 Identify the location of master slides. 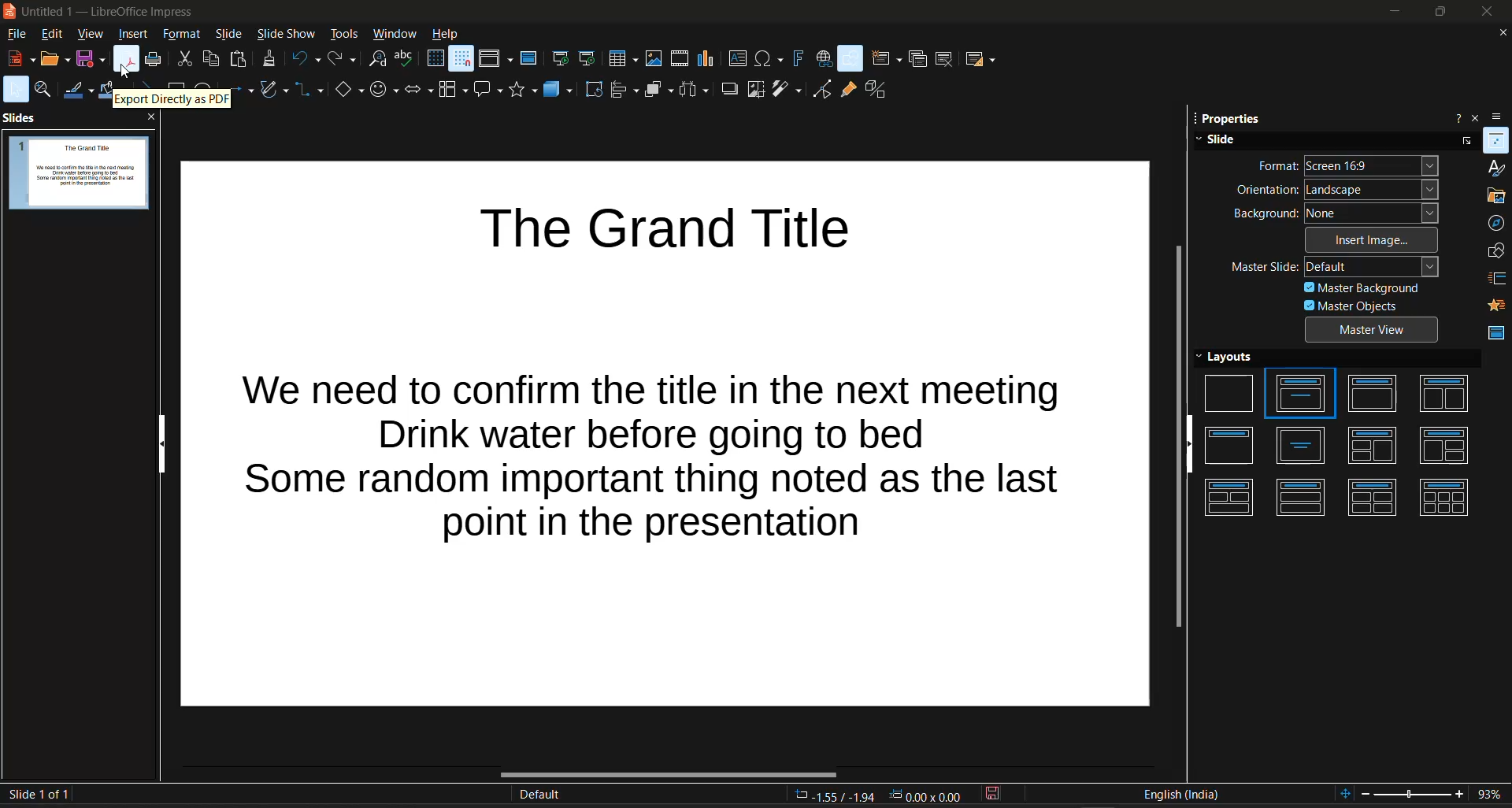
(1497, 330).